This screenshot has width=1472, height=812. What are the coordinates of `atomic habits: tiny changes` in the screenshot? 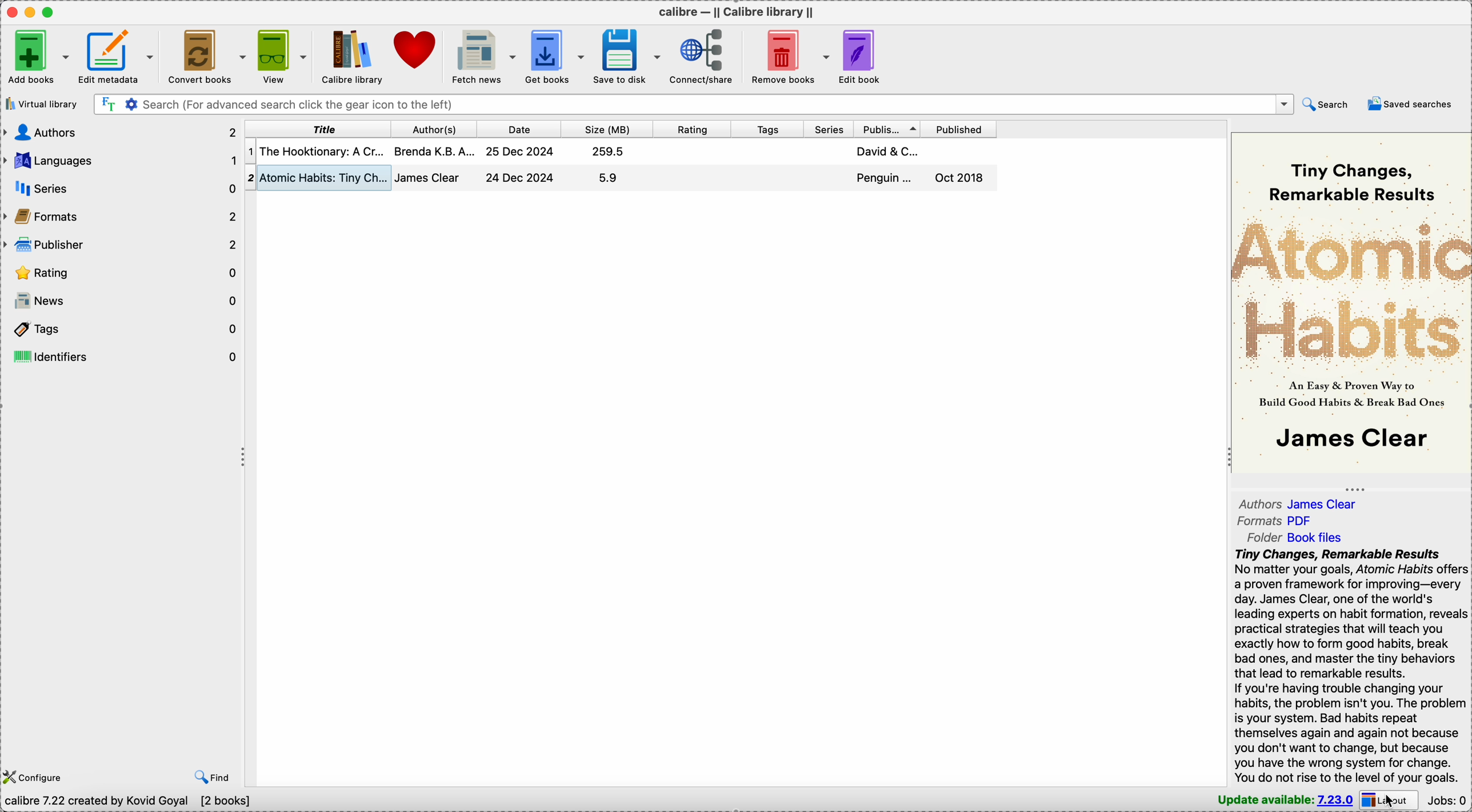 It's located at (325, 178).